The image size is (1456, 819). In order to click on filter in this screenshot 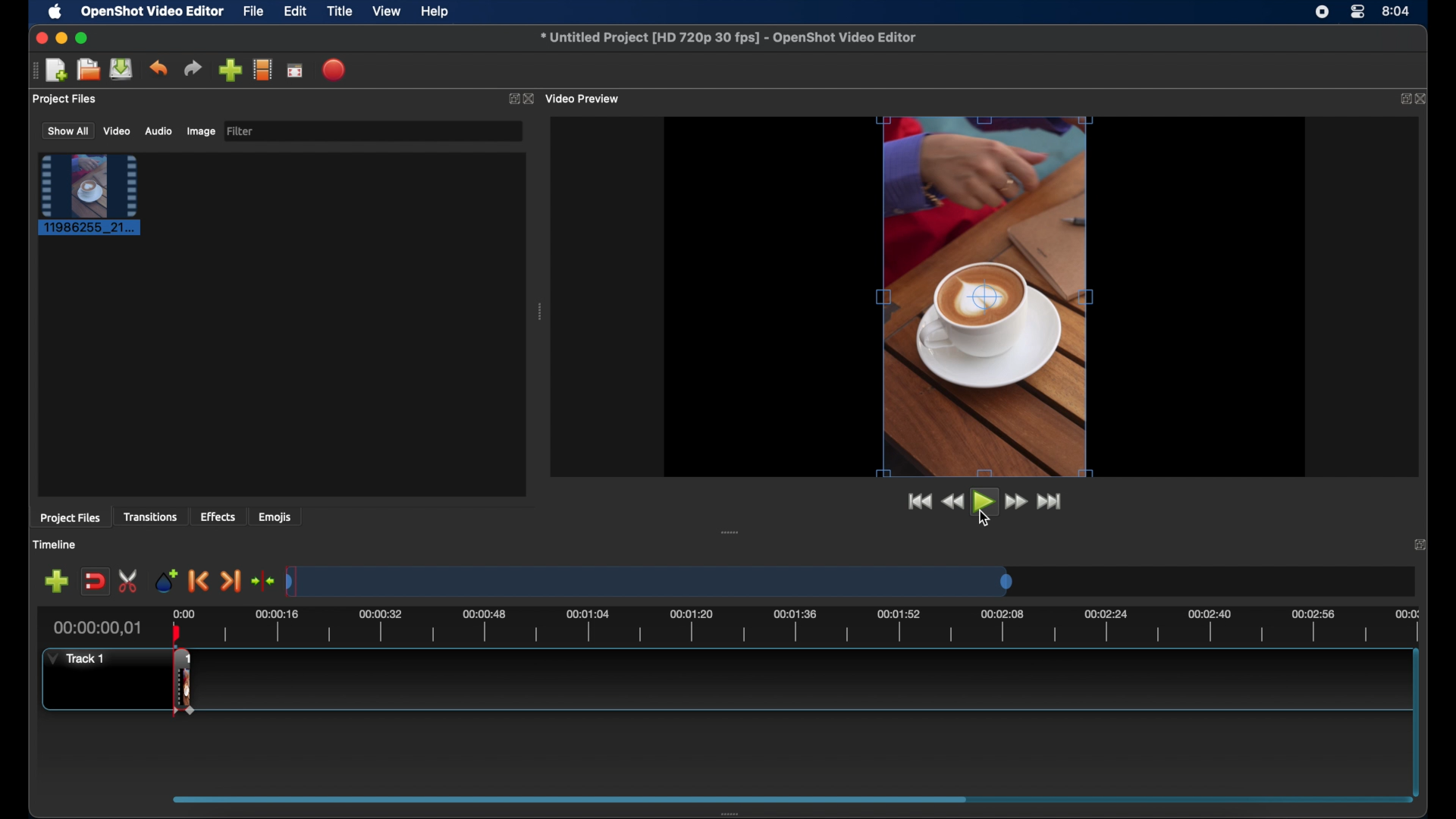, I will do `click(241, 131)`.